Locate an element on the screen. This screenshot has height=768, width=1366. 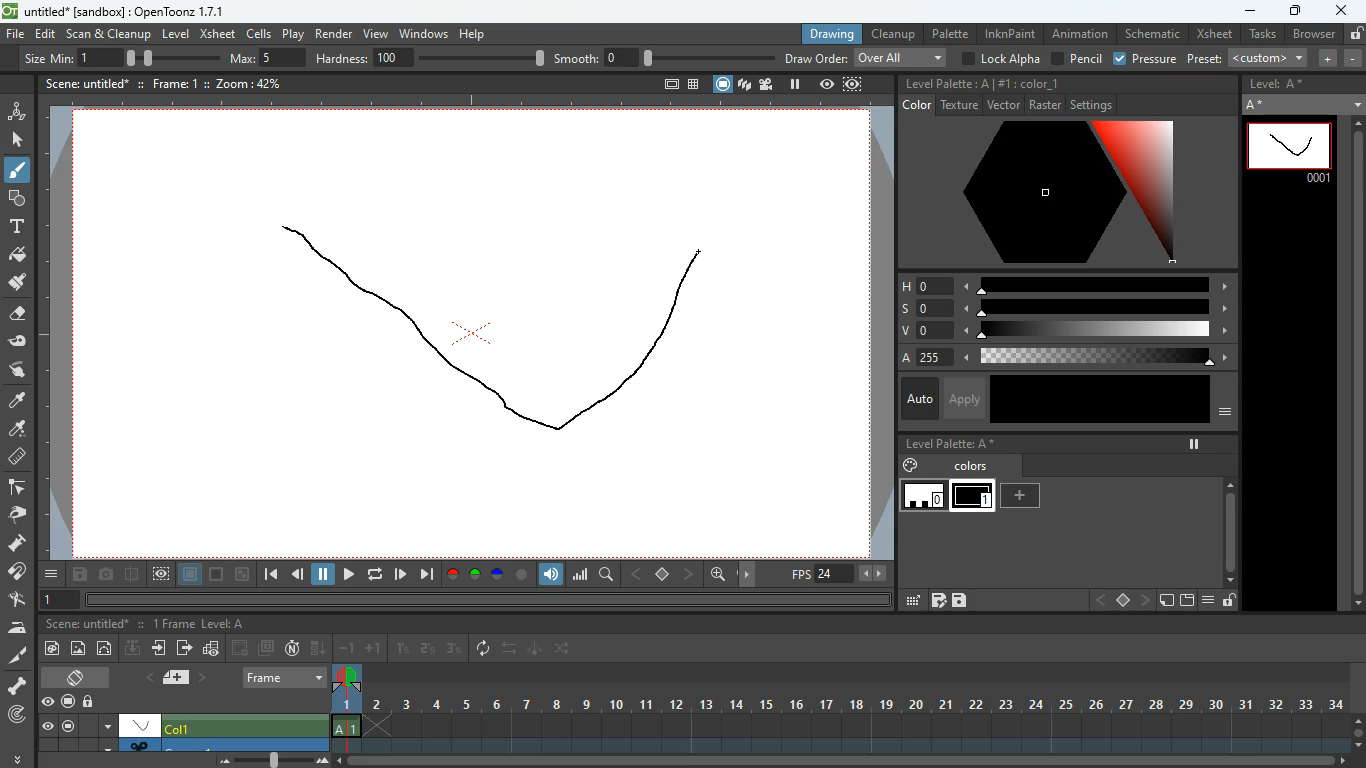
back is located at coordinates (241, 648).